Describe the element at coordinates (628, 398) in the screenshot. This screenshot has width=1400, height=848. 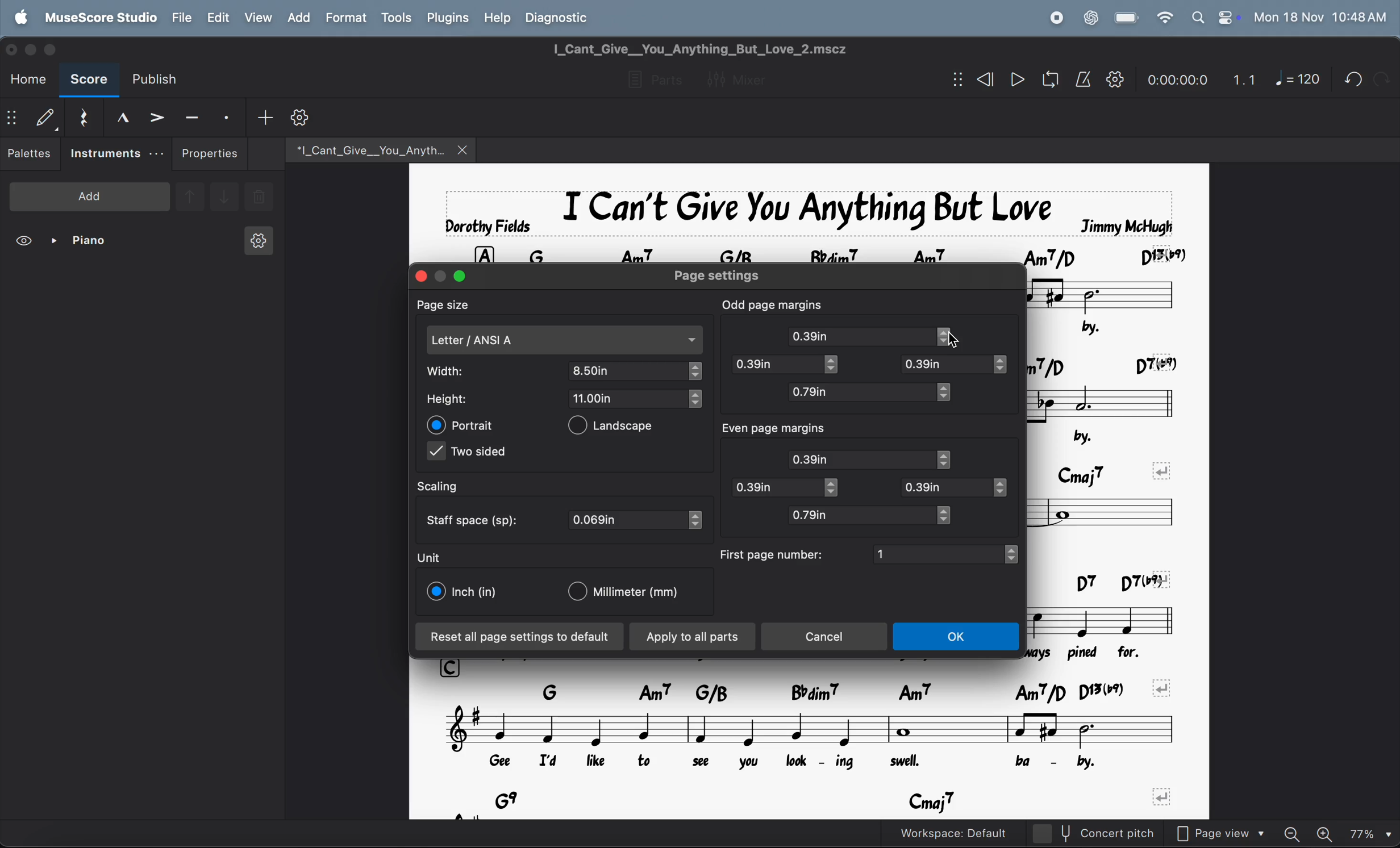
I see `11.0in` at that location.